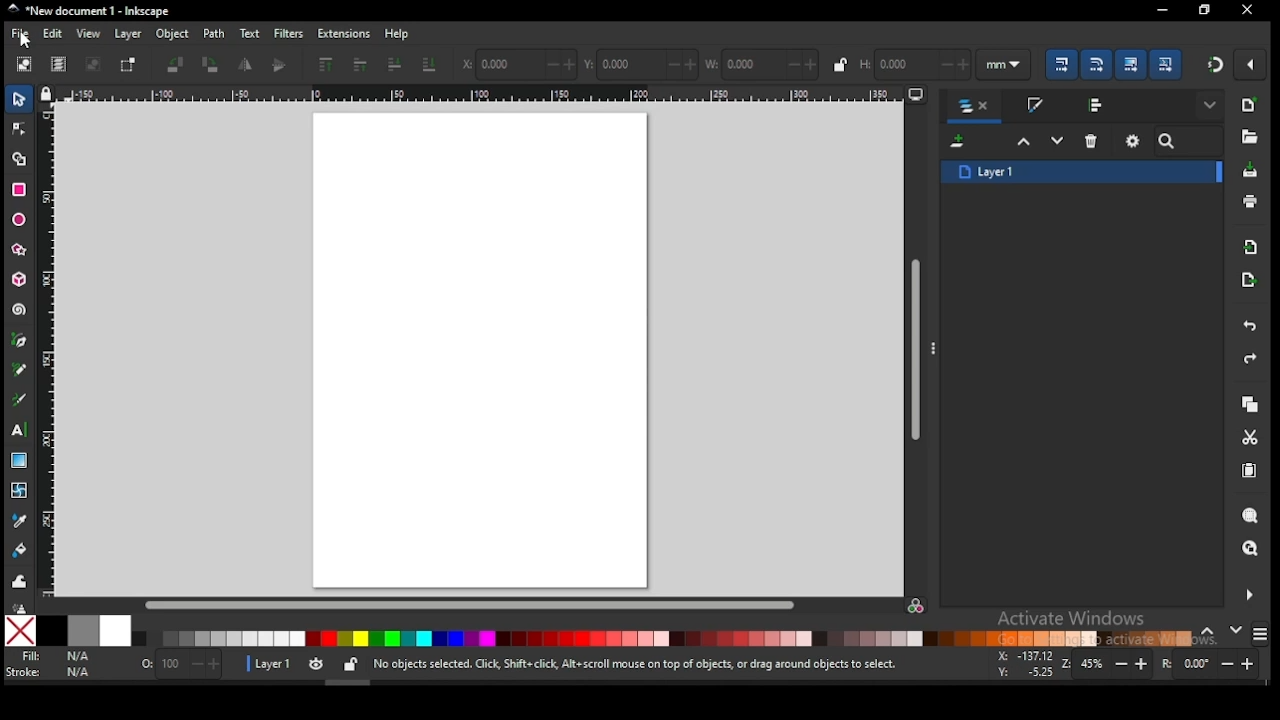  What do you see at coordinates (249, 33) in the screenshot?
I see `text` at bounding box center [249, 33].